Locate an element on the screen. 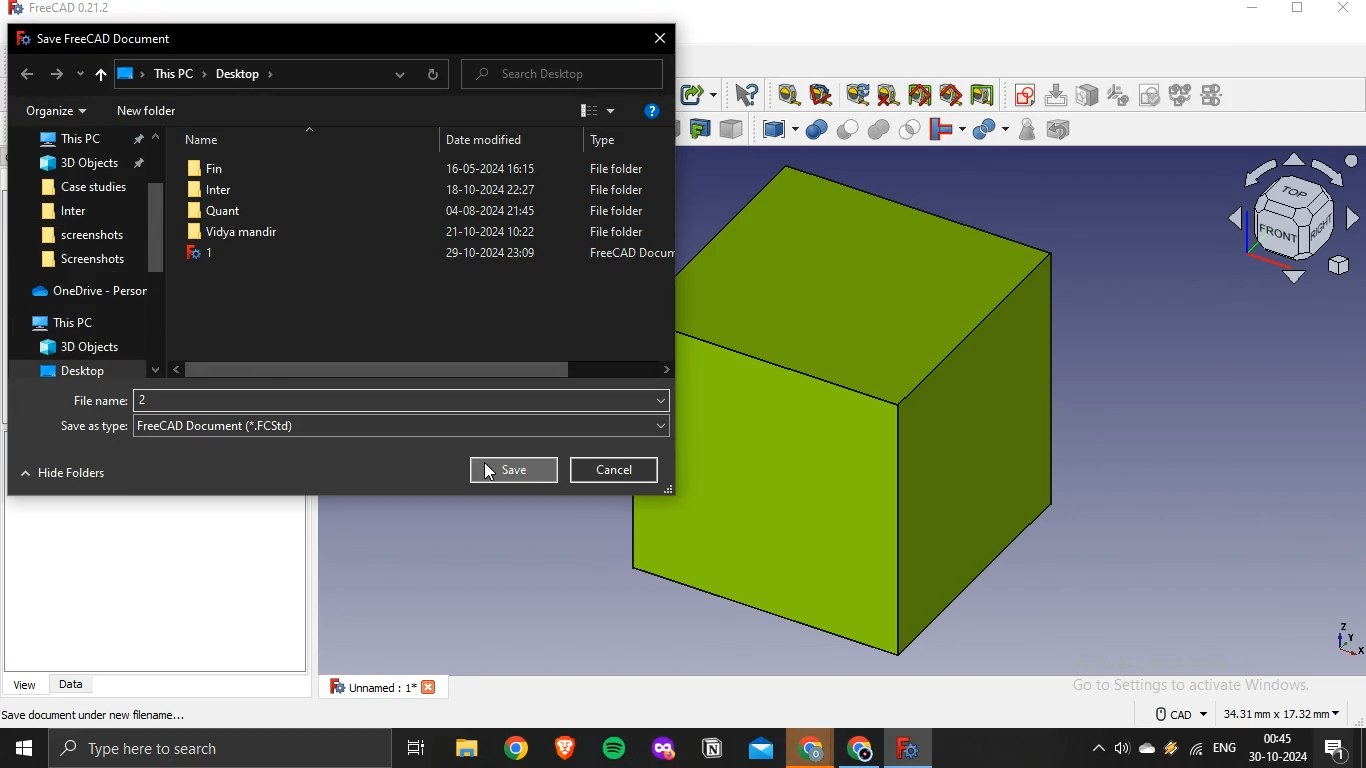  axis icon is located at coordinates (1293, 219).